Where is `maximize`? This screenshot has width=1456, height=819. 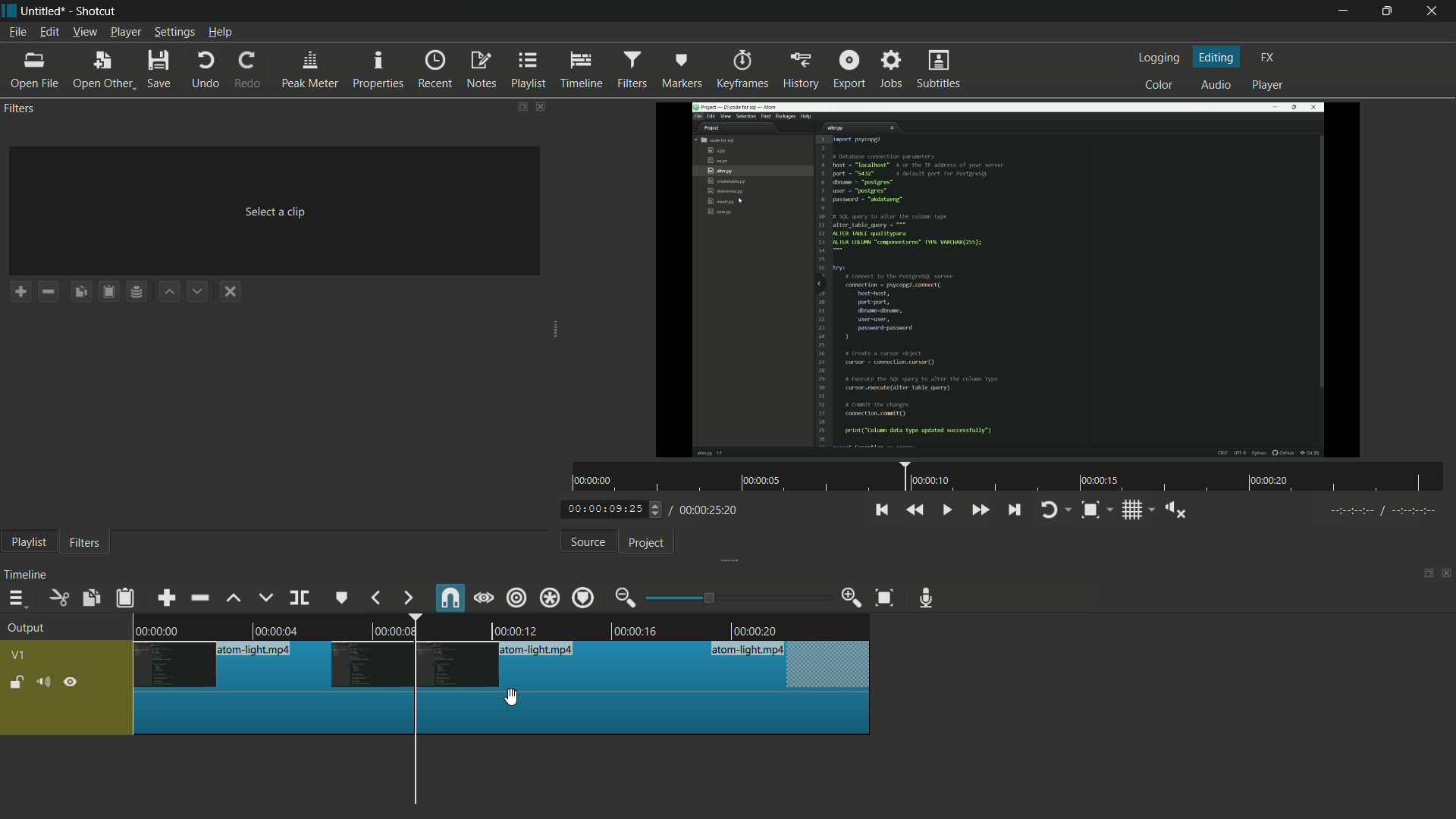 maximize is located at coordinates (1390, 11).